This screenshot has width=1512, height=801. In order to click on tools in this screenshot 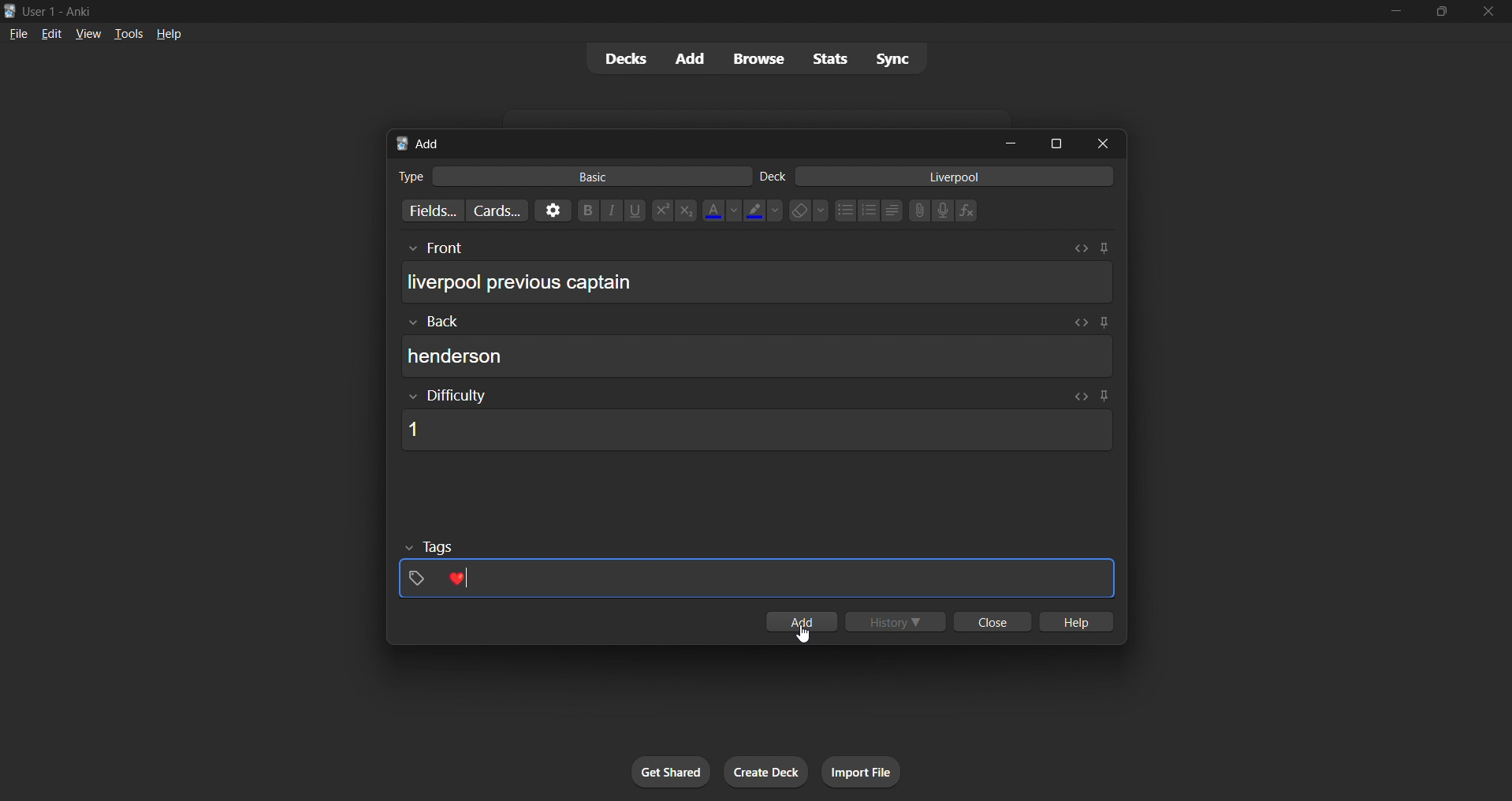, I will do `click(128, 33)`.